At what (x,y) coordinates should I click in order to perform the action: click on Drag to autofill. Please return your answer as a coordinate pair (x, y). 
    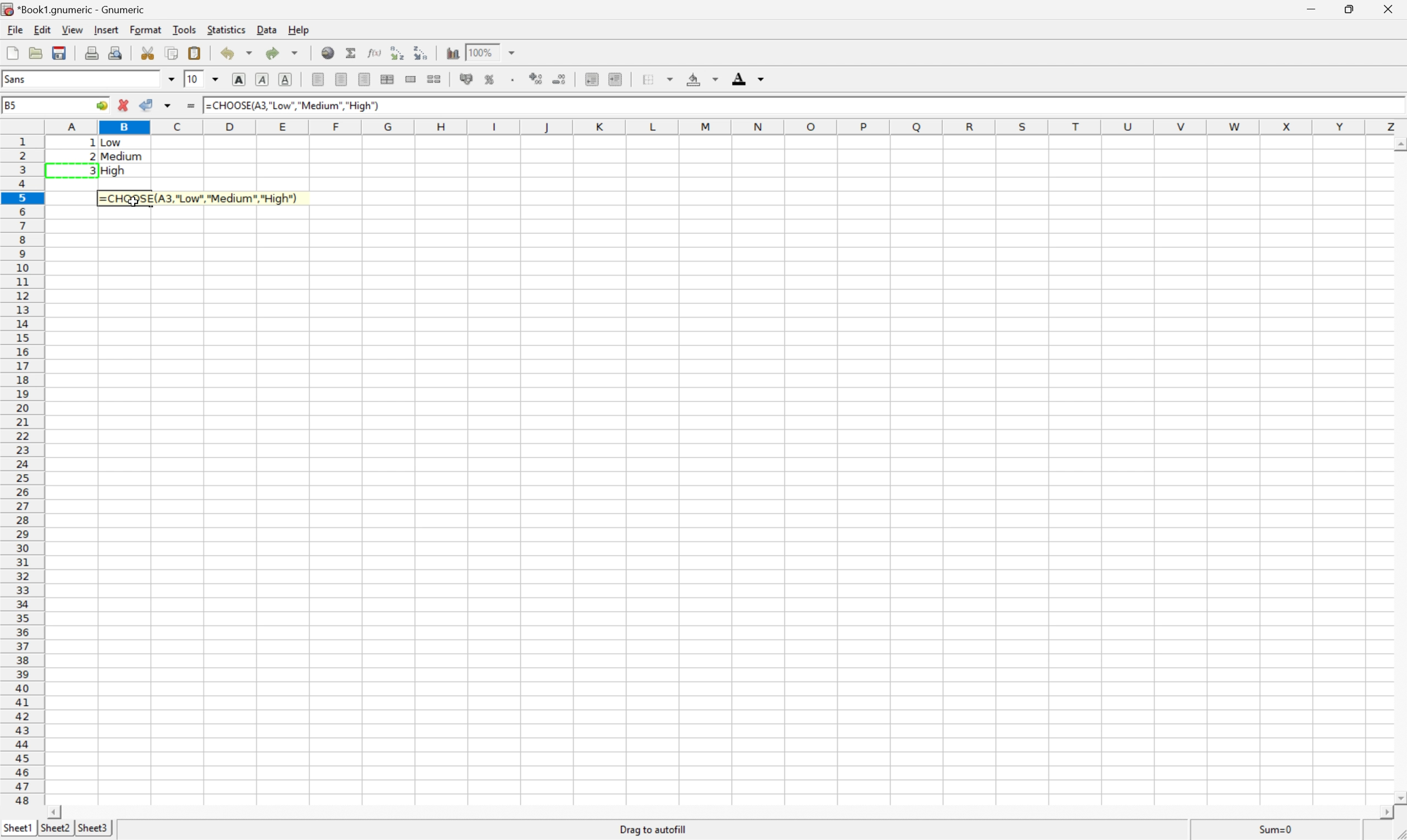
    Looking at the image, I should click on (655, 830).